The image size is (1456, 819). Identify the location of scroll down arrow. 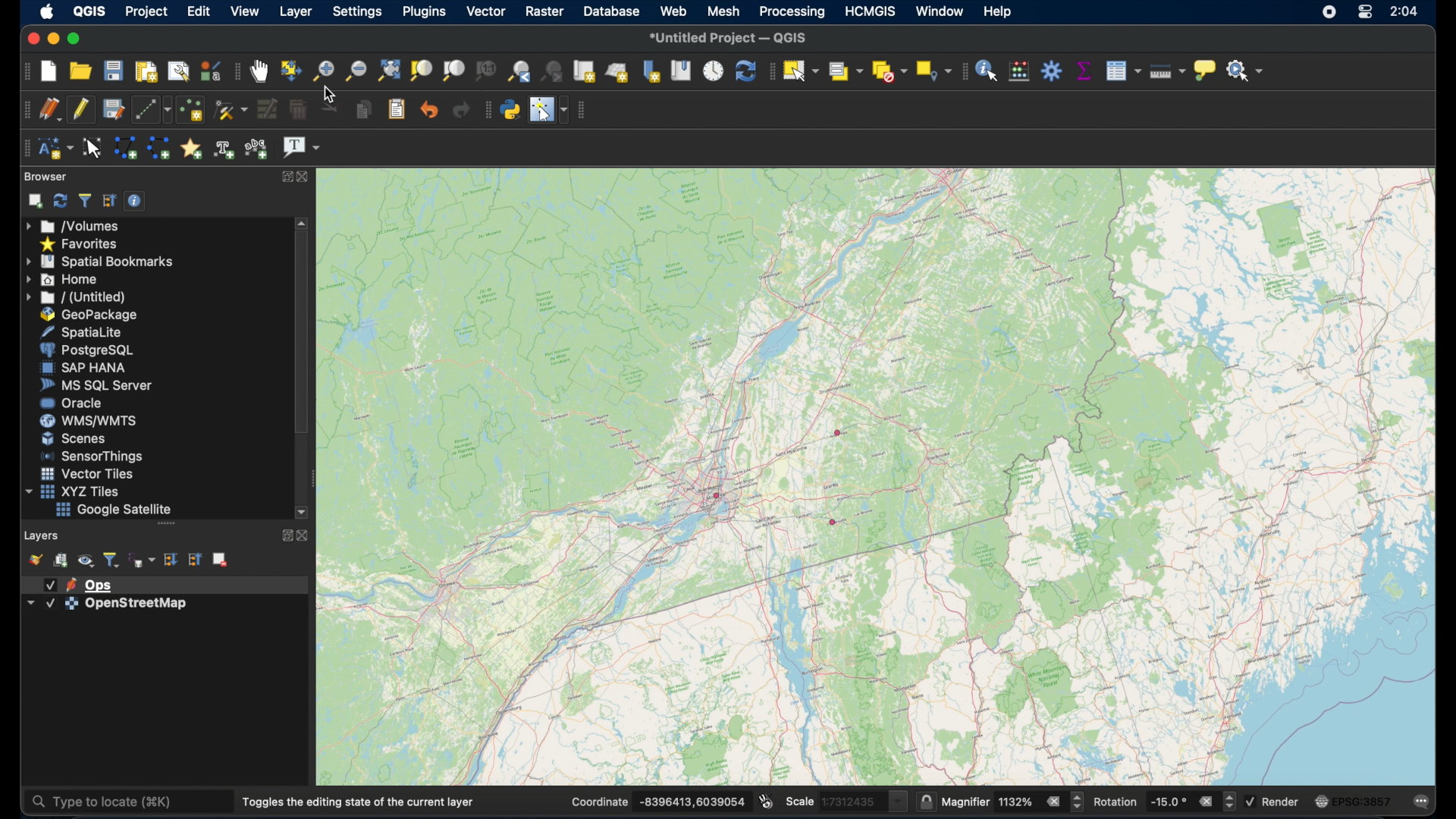
(306, 512).